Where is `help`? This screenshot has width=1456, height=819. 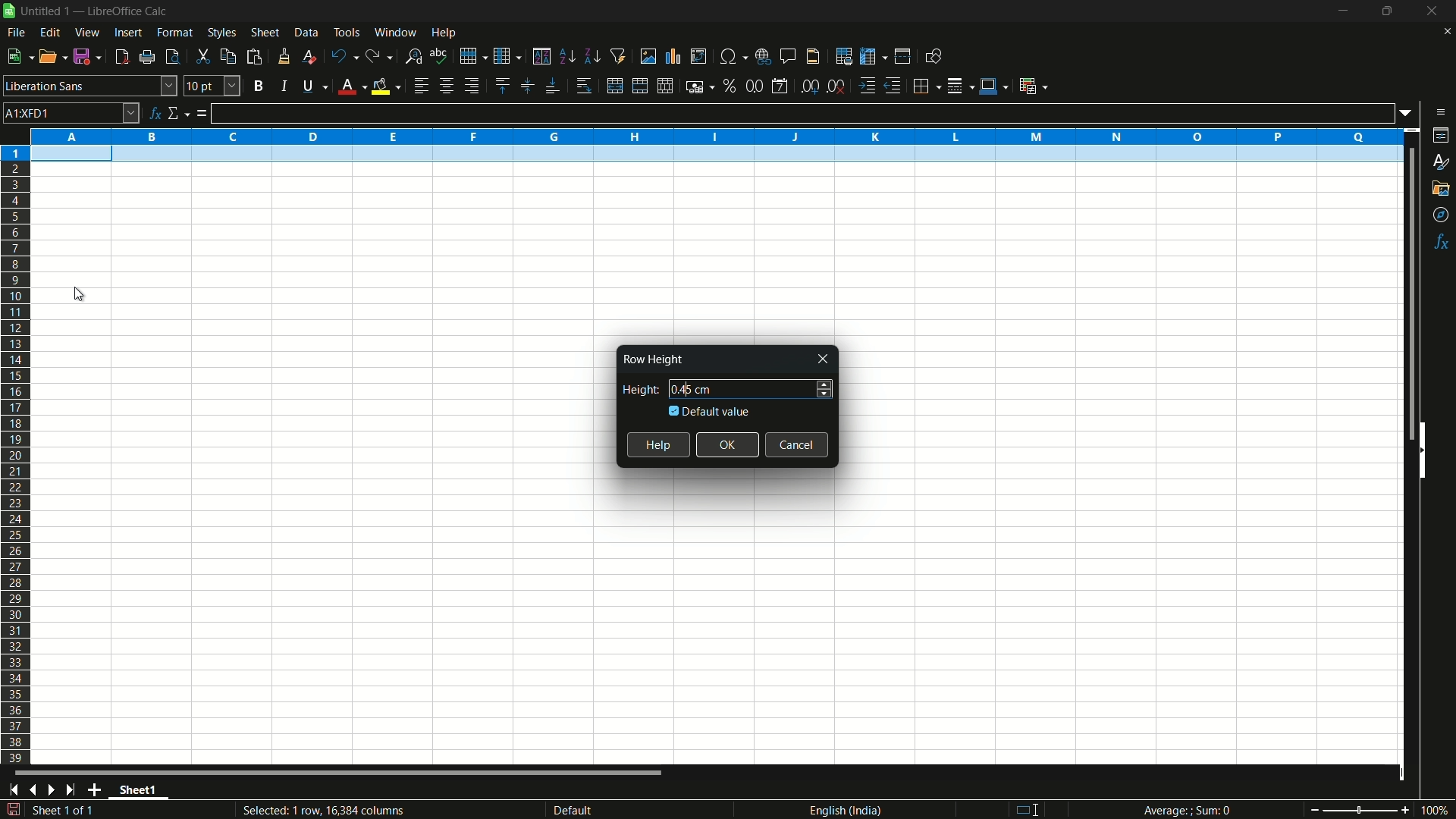
help is located at coordinates (658, 445).